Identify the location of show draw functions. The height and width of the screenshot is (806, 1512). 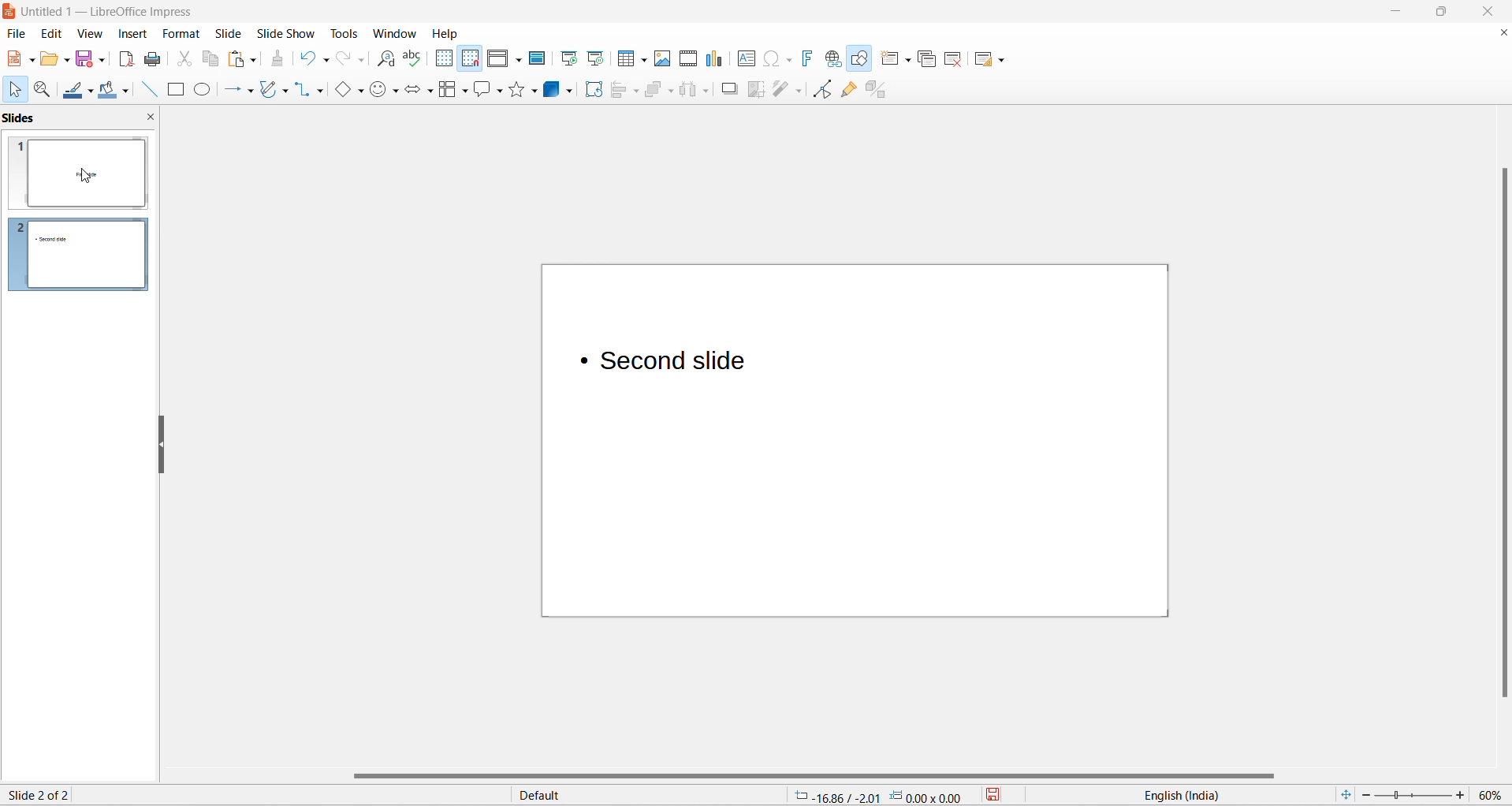
(859, 58).